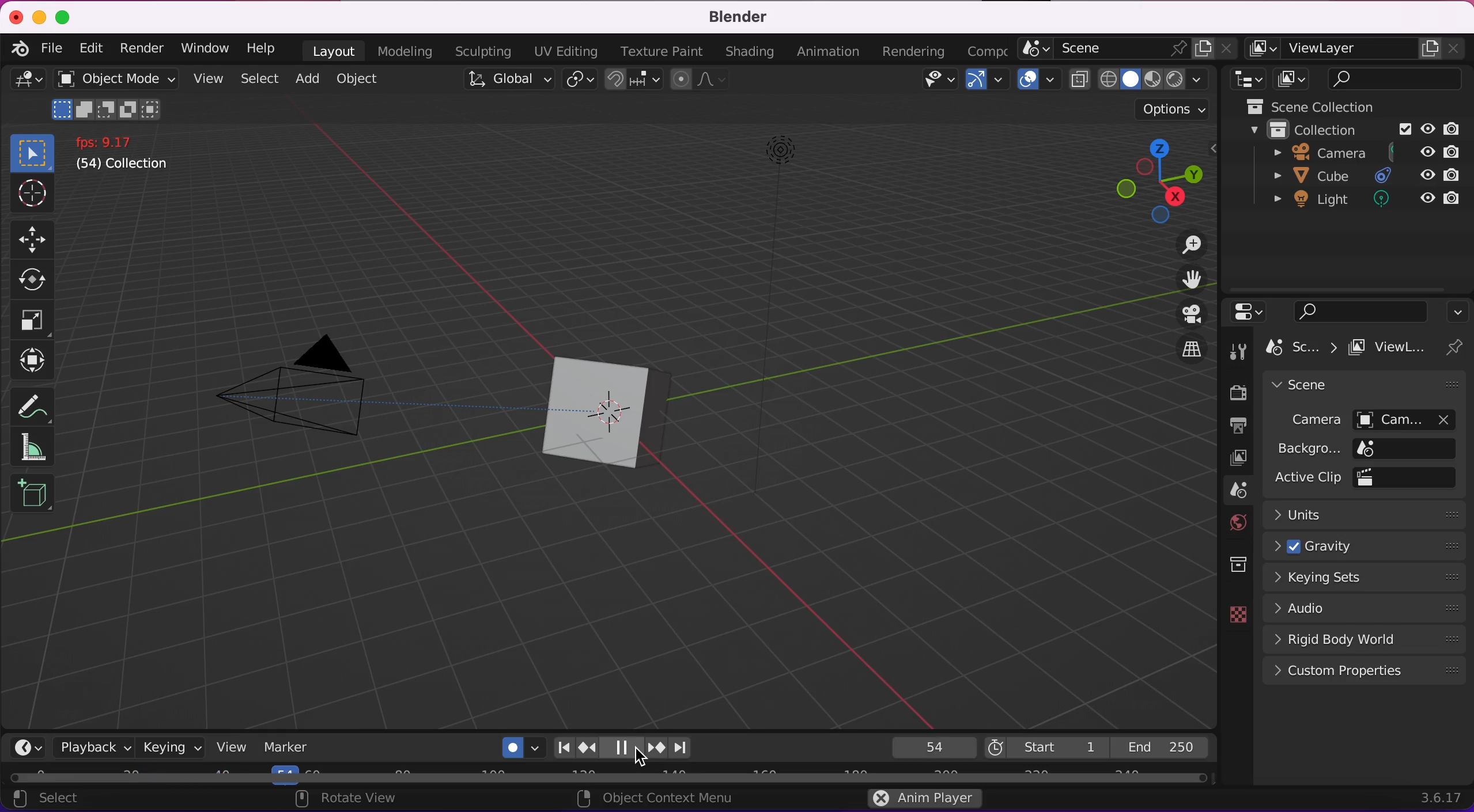 This screenshot has width=1474, height=812. Describe the element at coordinates (360, 78) in the screenshot. I see `object` at that location.